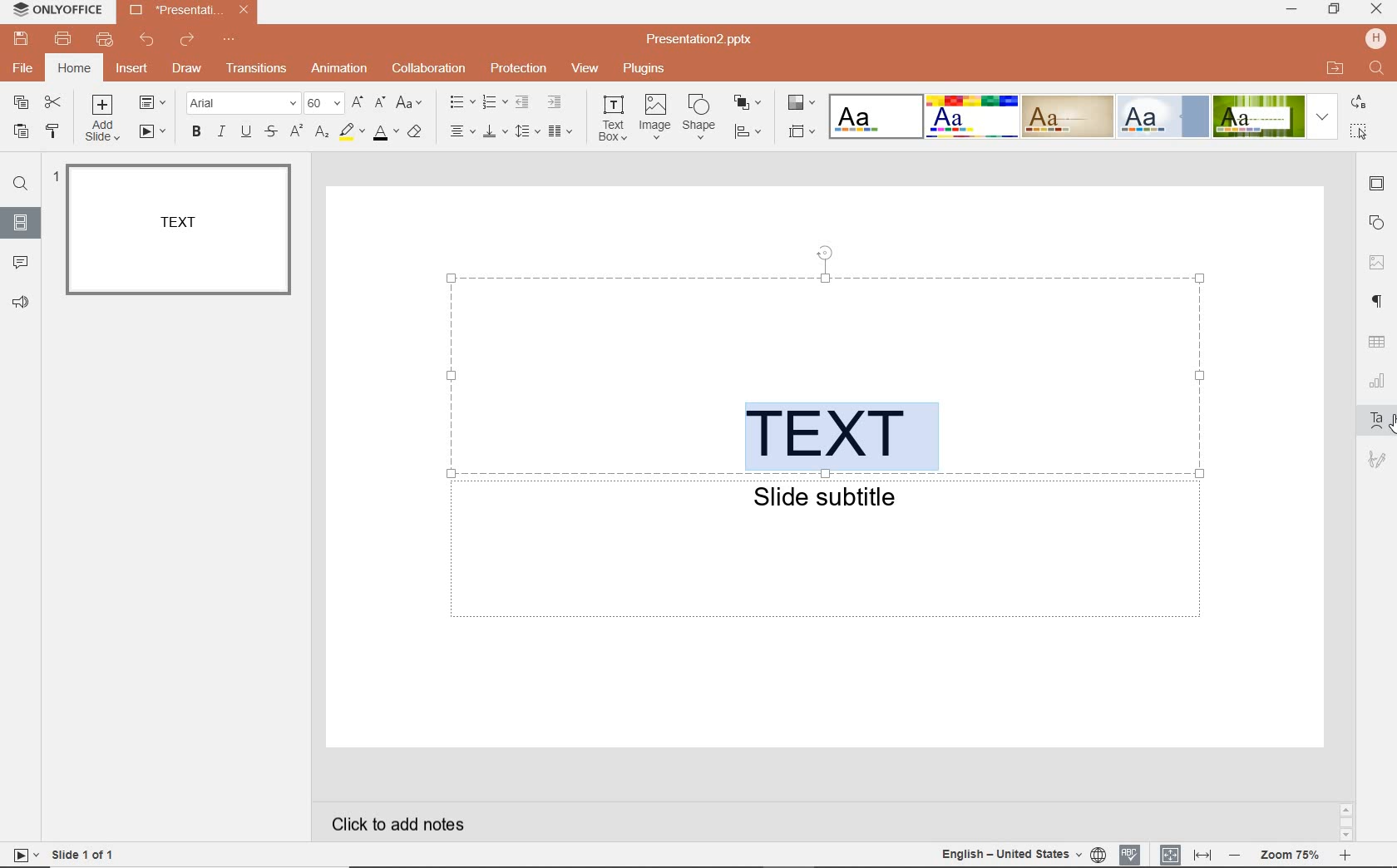 This screenshot has width=1397, height=868. I want to click on SLIDE 1 OF 1, so click(83, 853).